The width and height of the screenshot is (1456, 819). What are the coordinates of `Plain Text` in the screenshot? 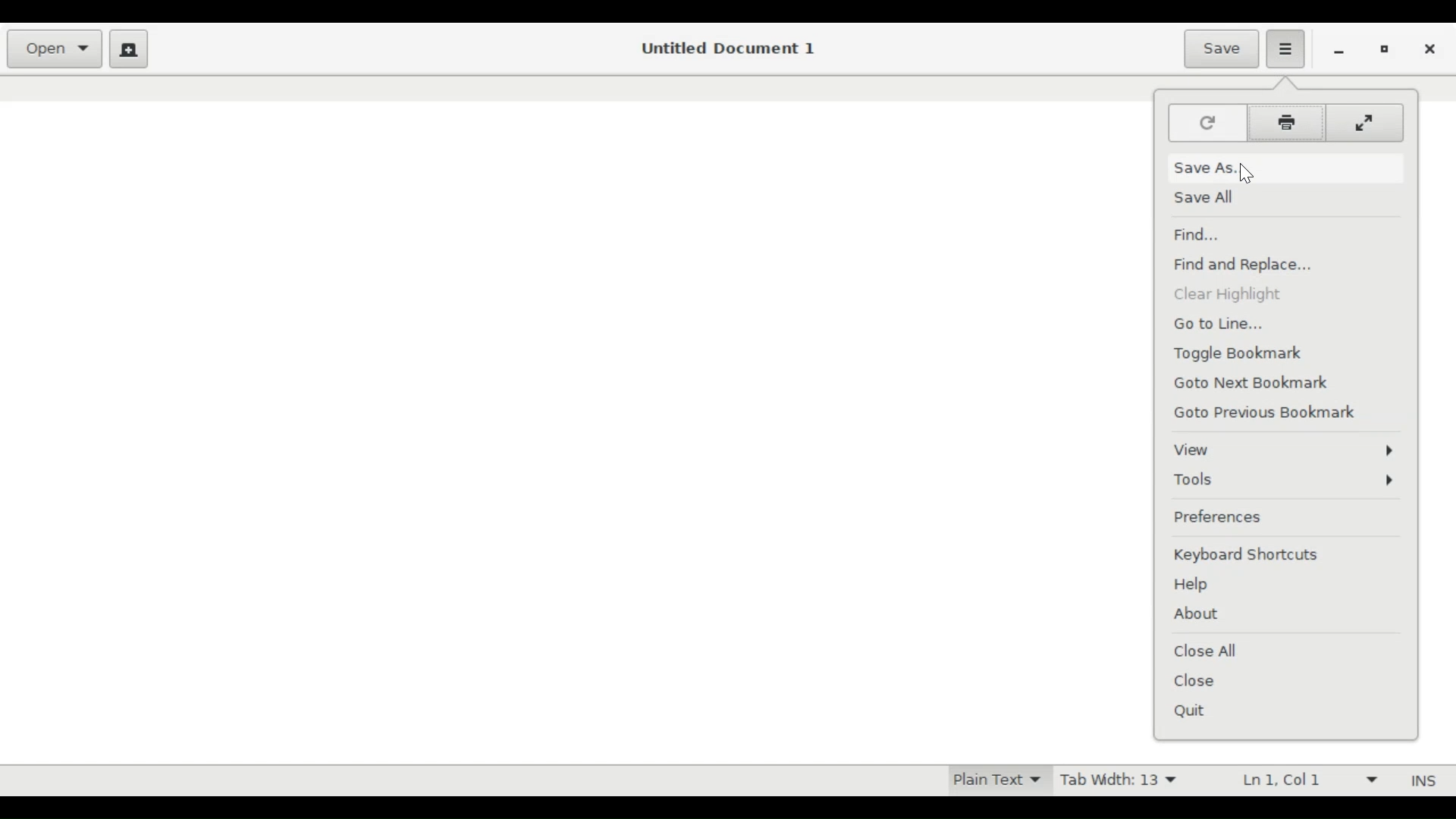 It's located at (996, 781).